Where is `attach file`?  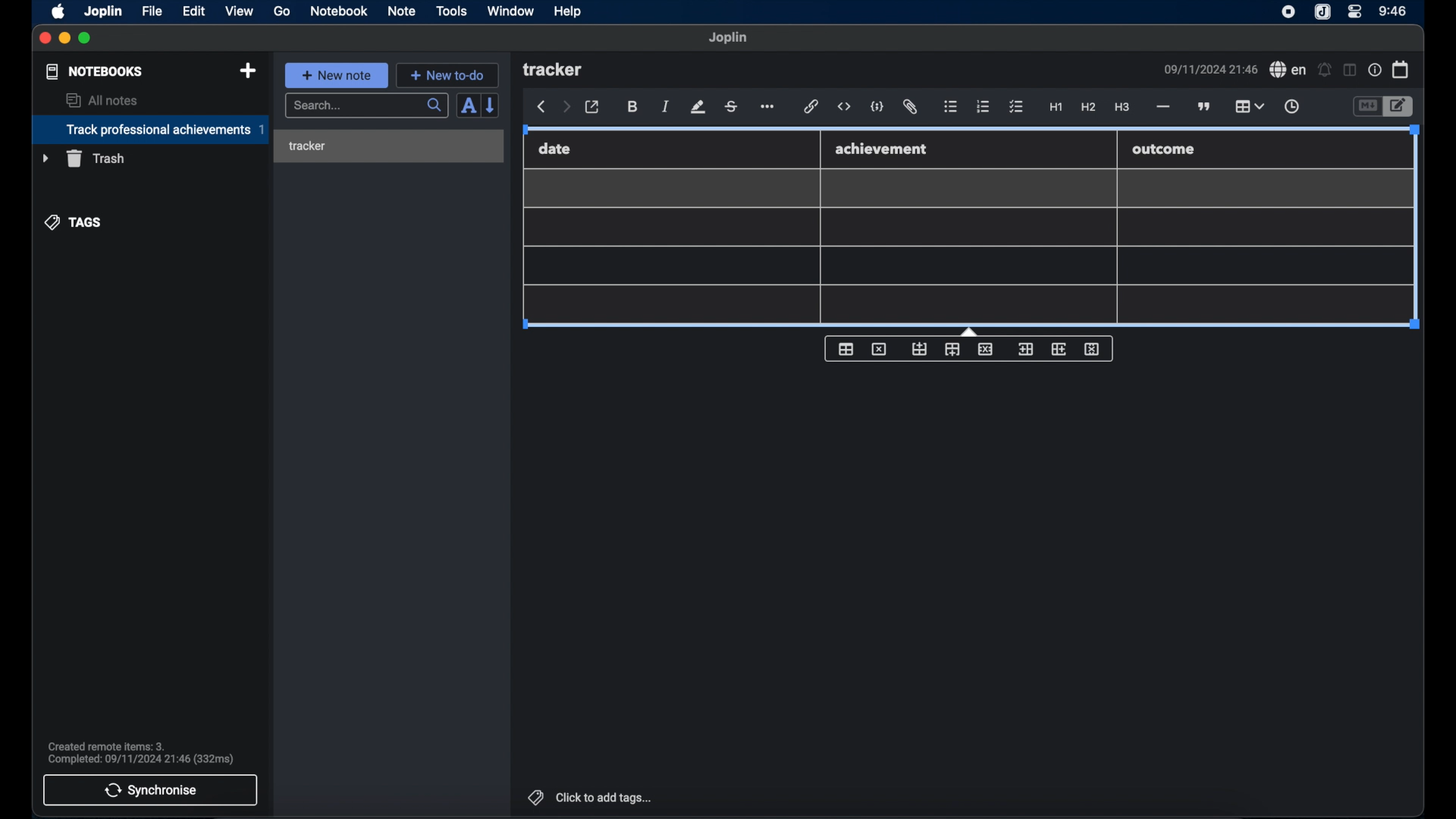
attach file is located at coordinates (912, 108).